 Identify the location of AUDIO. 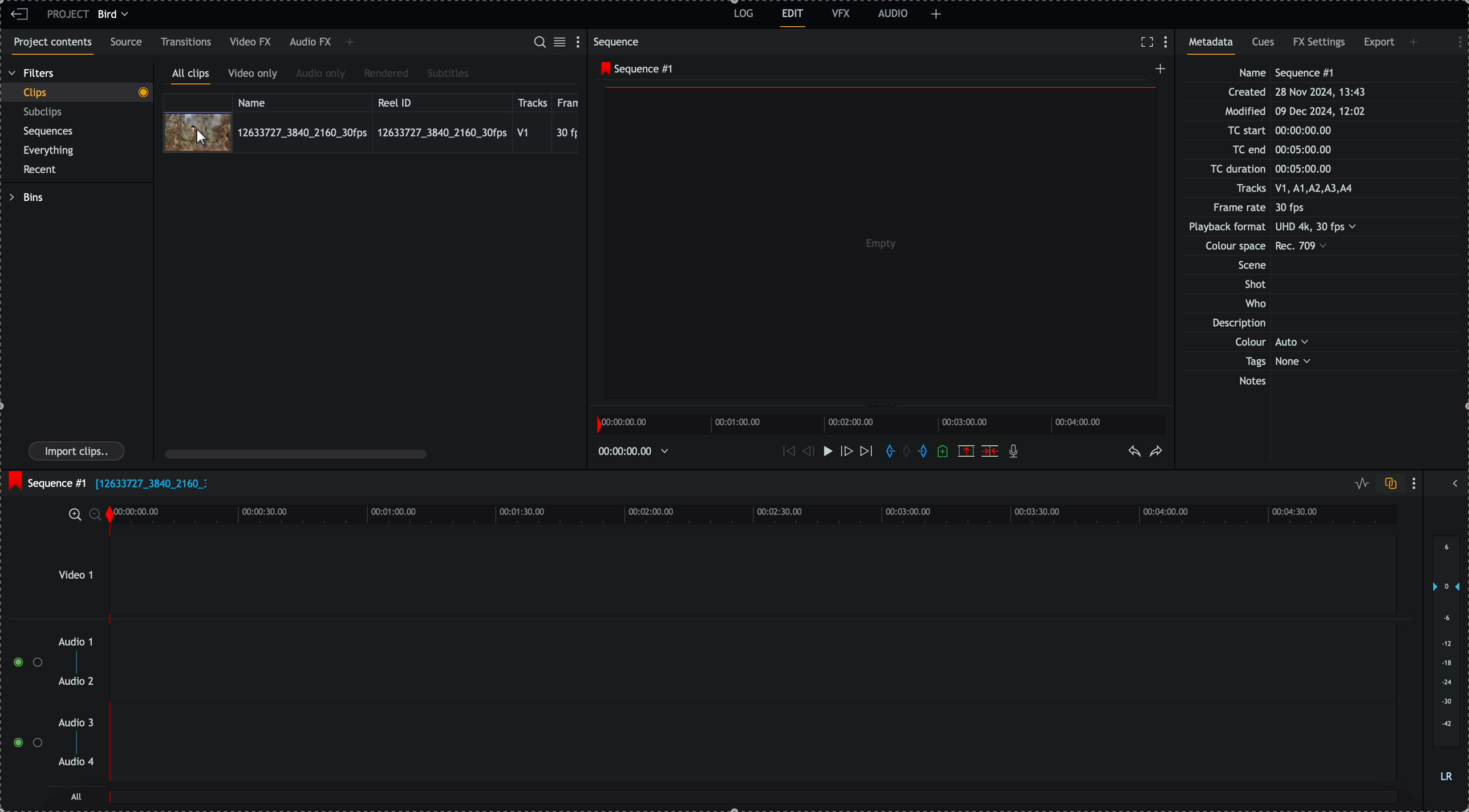
(893, 13).